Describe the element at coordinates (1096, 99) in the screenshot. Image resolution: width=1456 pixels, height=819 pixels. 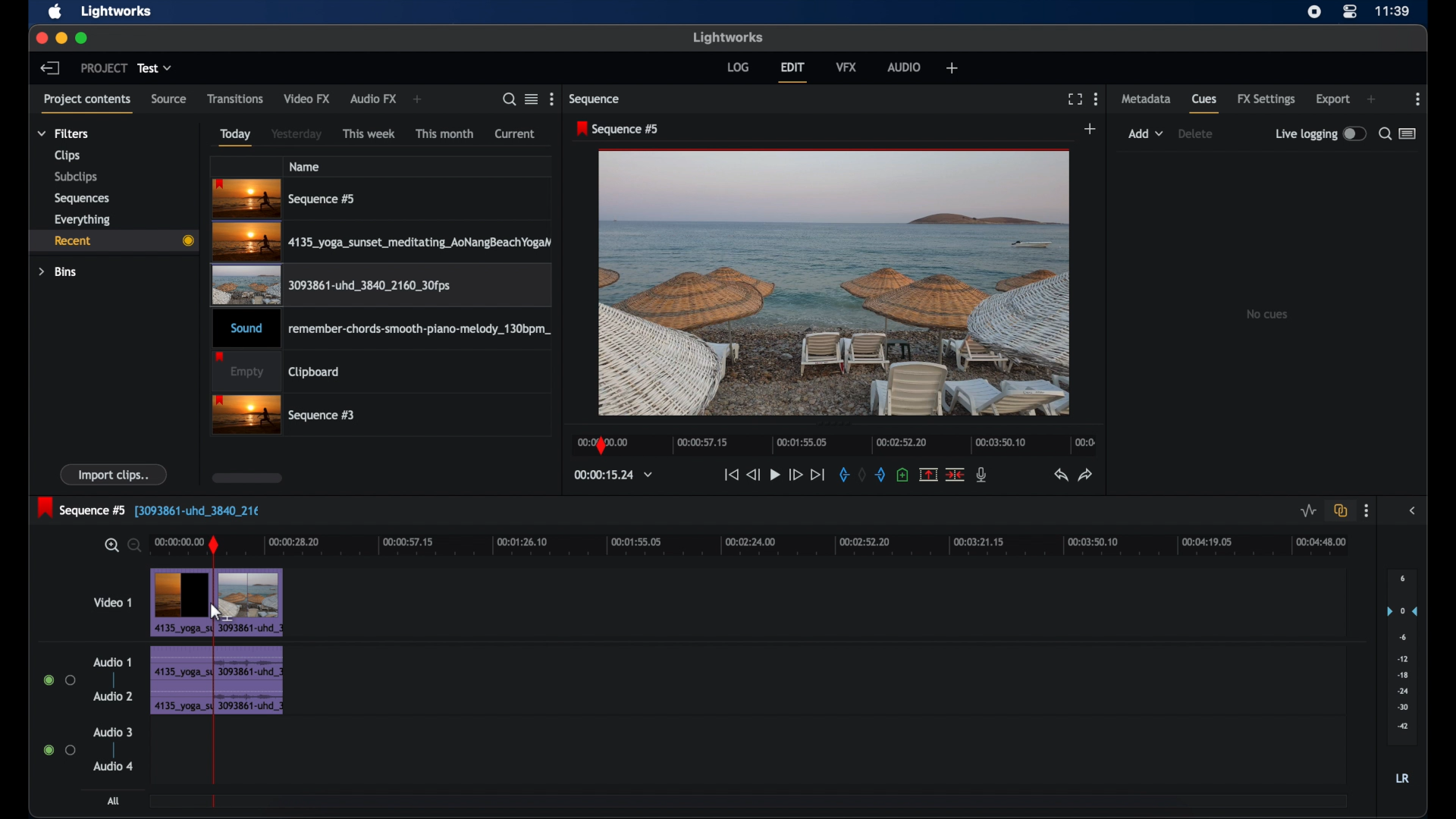
I see `more options` at that location.